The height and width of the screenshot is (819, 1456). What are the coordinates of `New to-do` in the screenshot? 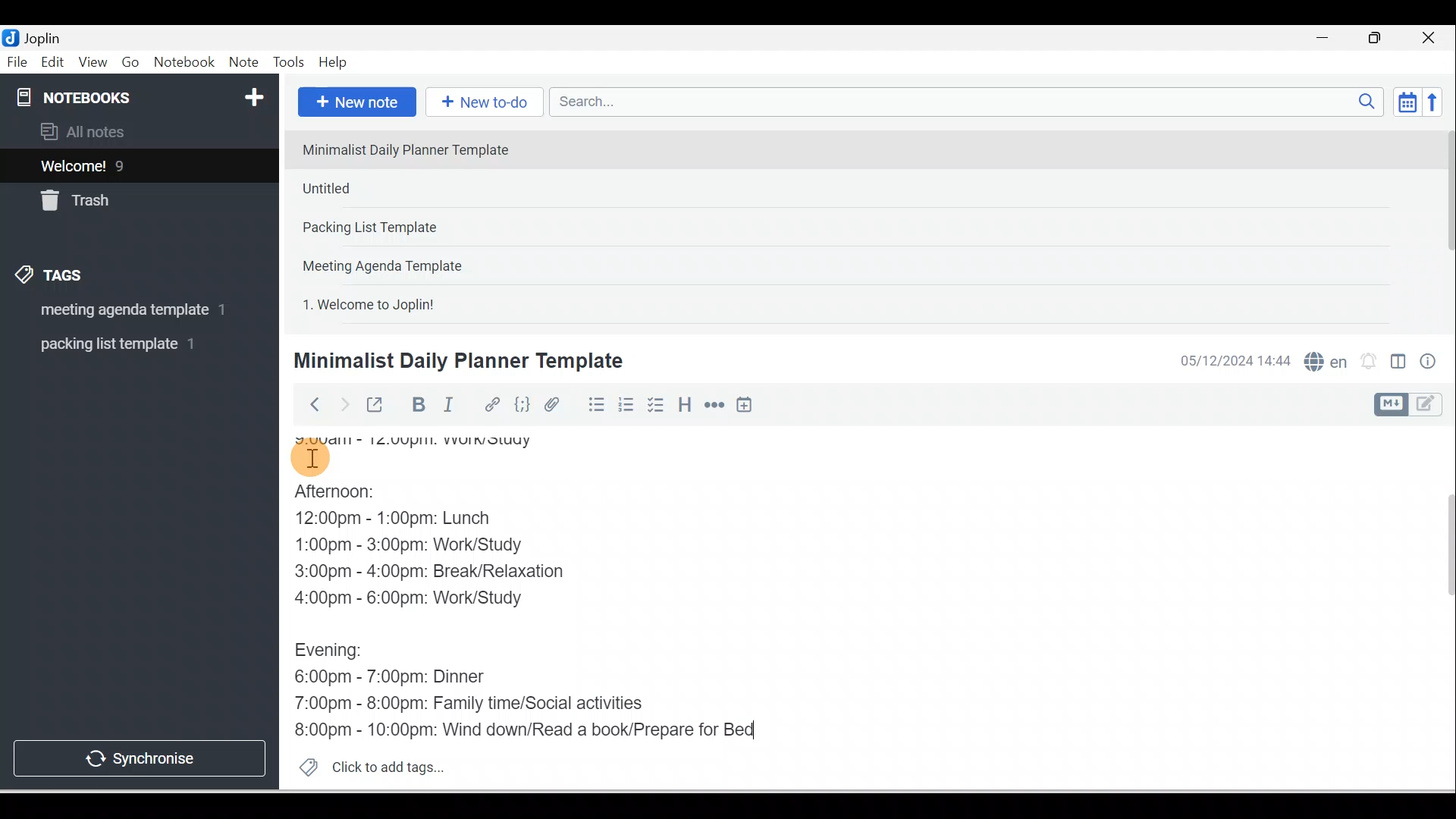 It's located at (481, 103).